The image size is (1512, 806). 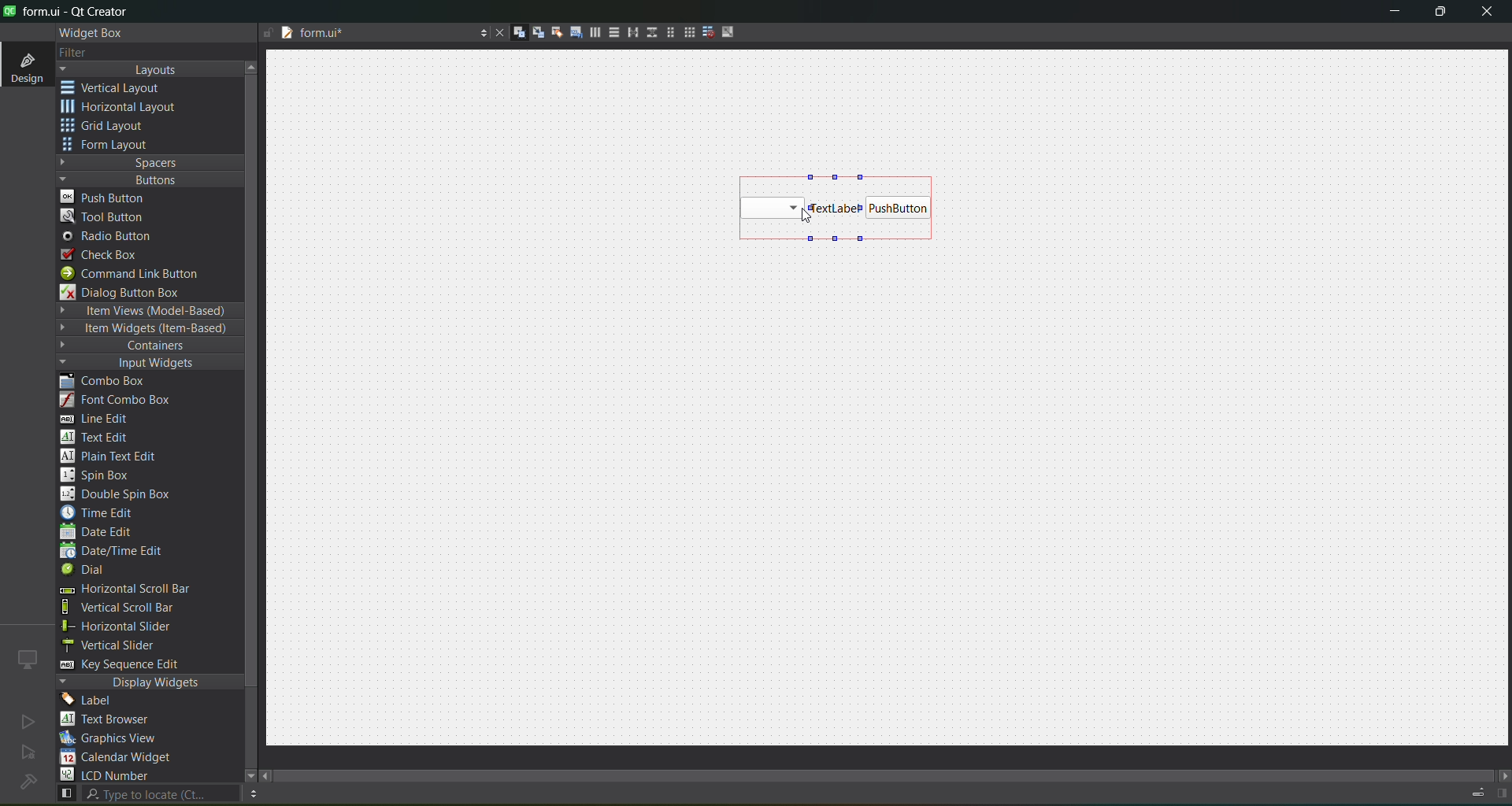 I want to click on no project loaded, so click(x=28, y=782).